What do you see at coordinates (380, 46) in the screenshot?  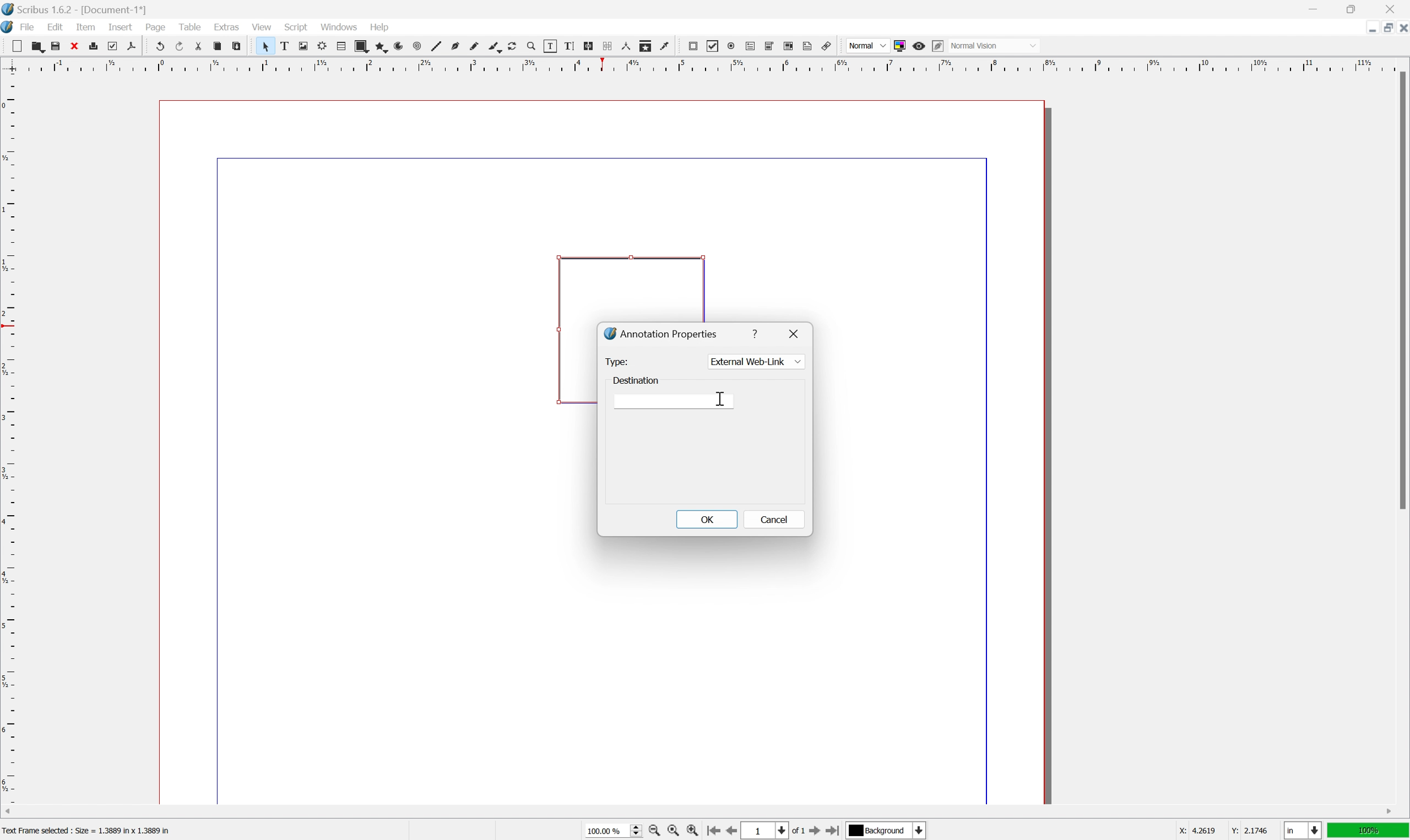 I see `polygon` at bounding box center [380, 46].